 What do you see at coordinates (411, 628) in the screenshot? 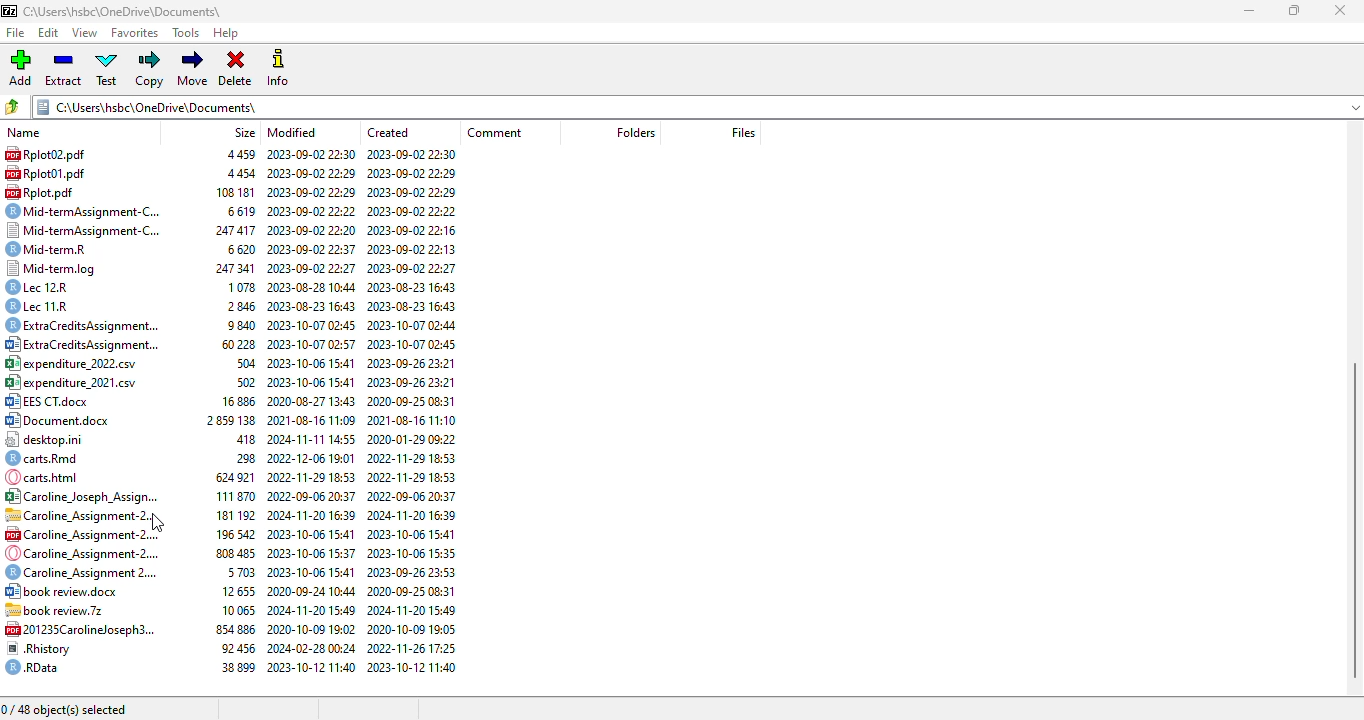
I see `2020-10-09 05` at bounding box center [411, 628].